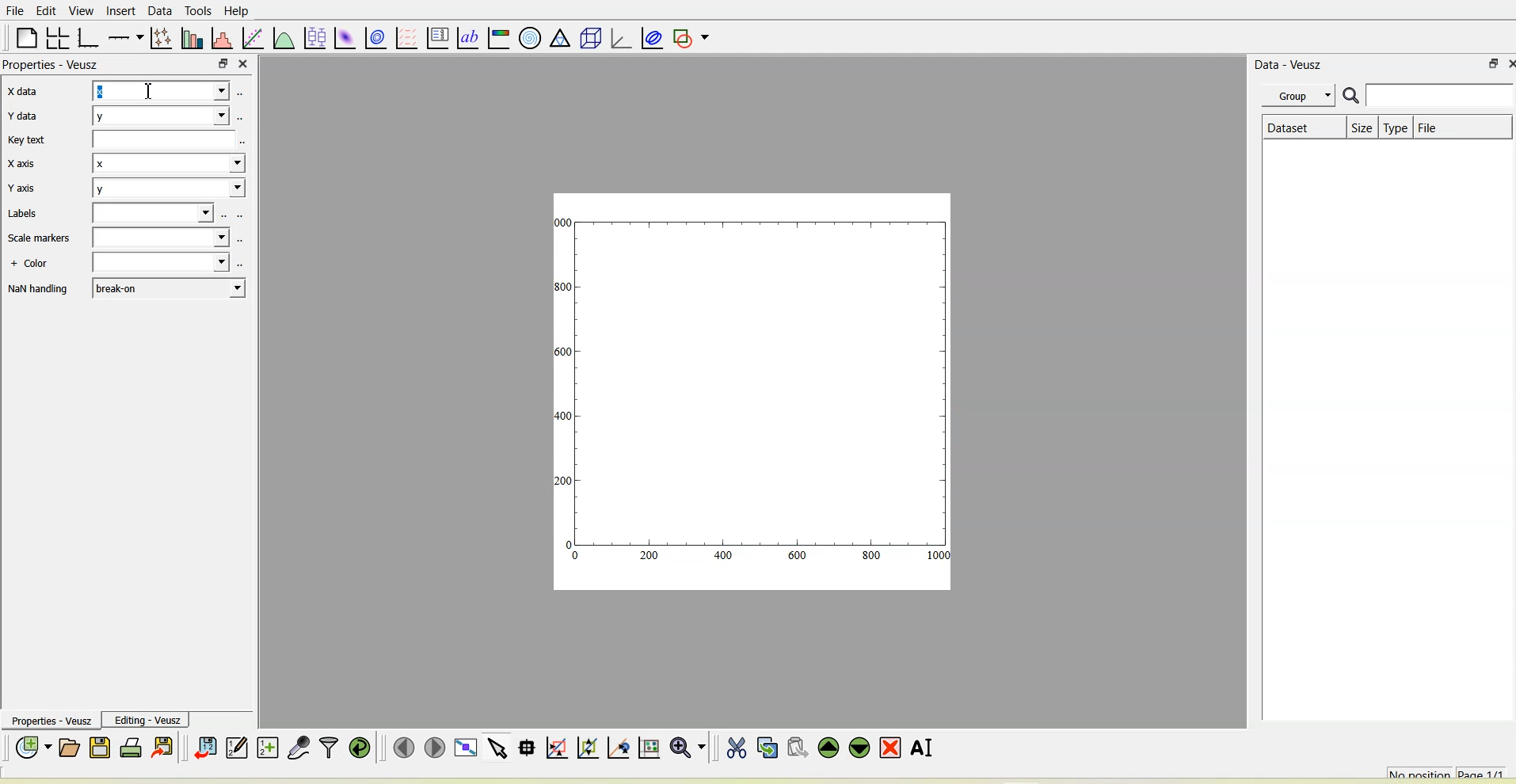 The height and width of the screenshot is (784, 1516). Describe the element at coordinates (268, 748) in the screenshot. I see `Create new datasets using ranges, parametrically or as functions of existing datasets` at that location.